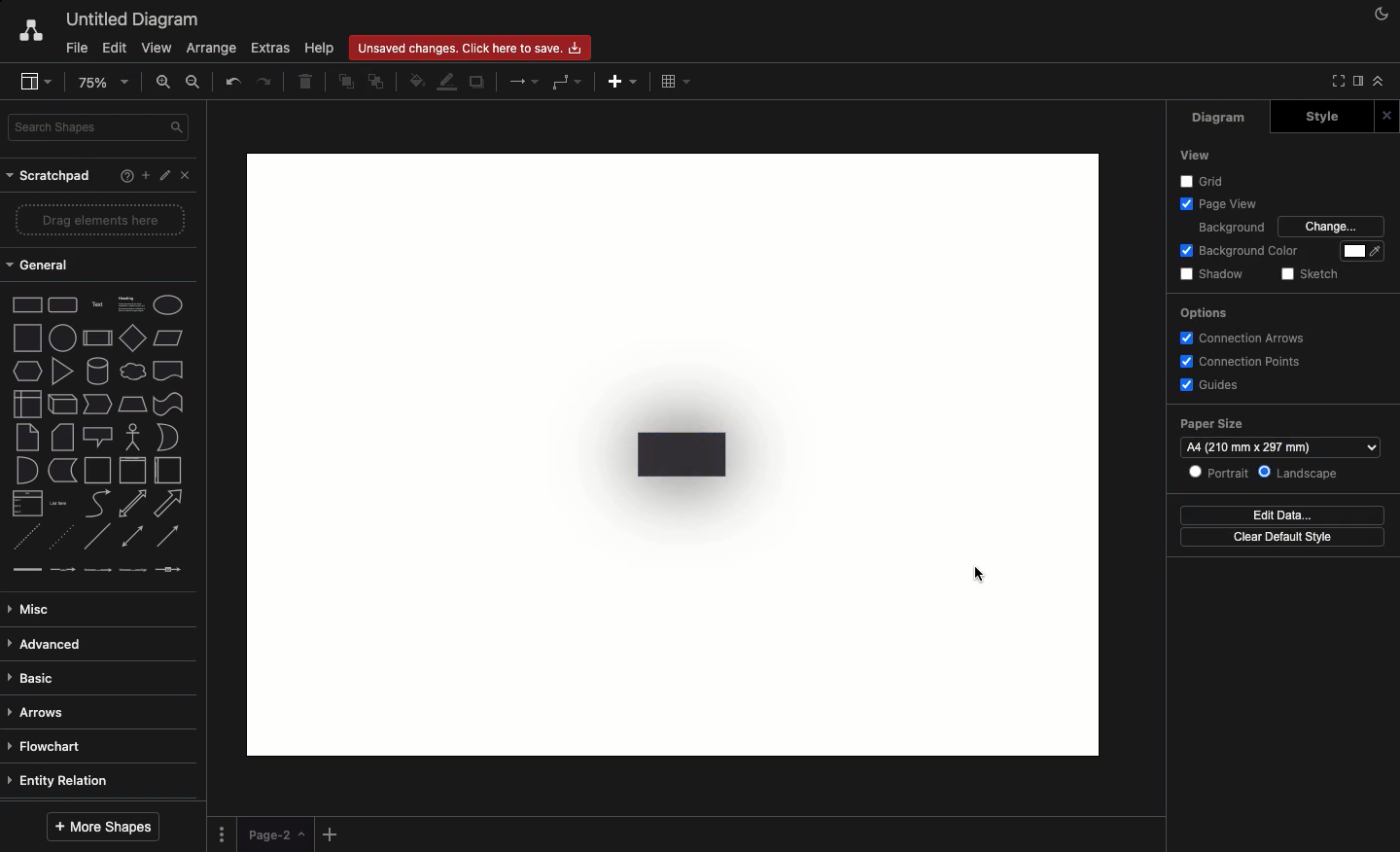 This screenshot has height=852, width=1400. I want to click on Page view, so click(1217, 204).